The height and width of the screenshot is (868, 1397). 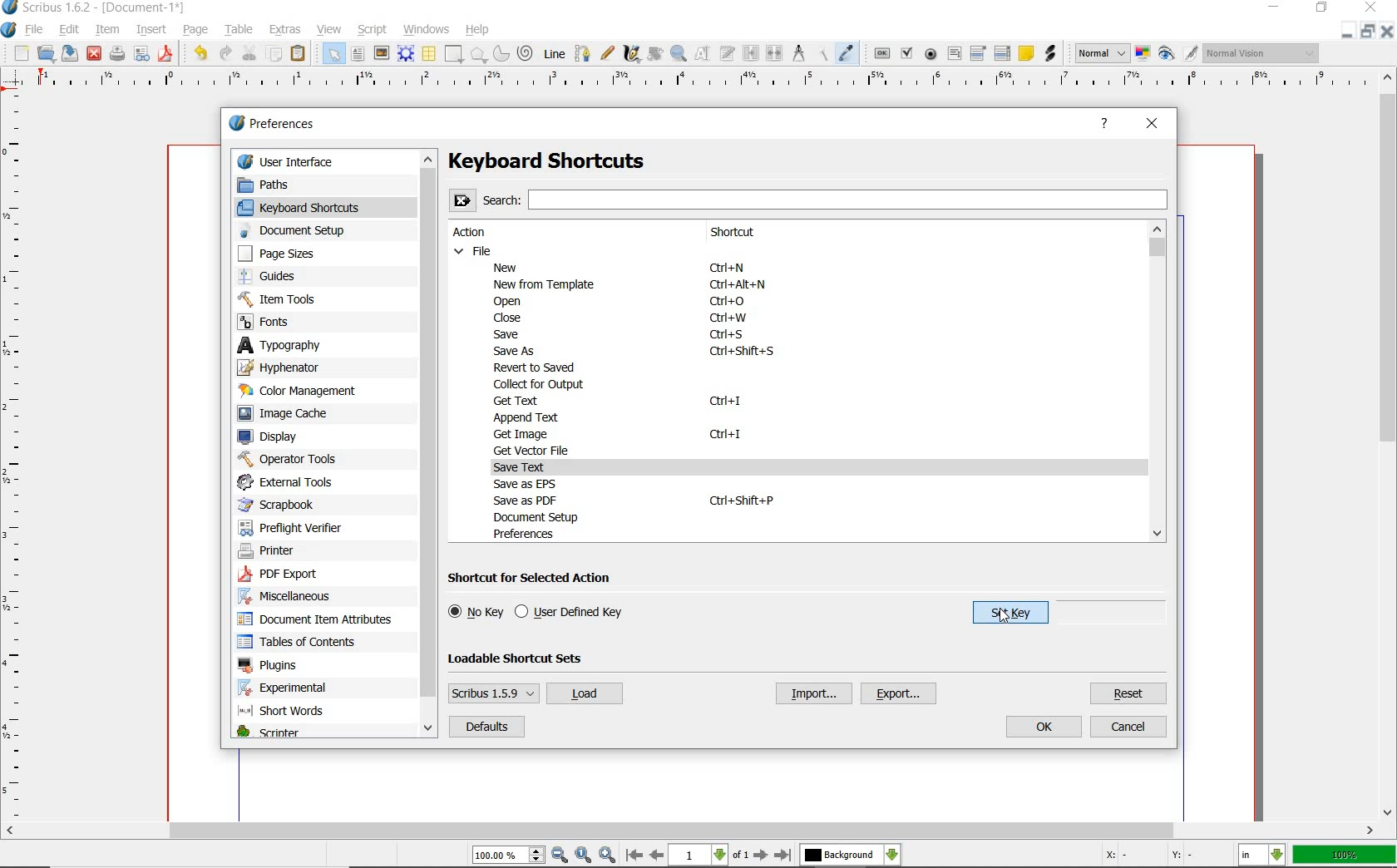 I want to click on cancel, so click(x=1128, y=727).